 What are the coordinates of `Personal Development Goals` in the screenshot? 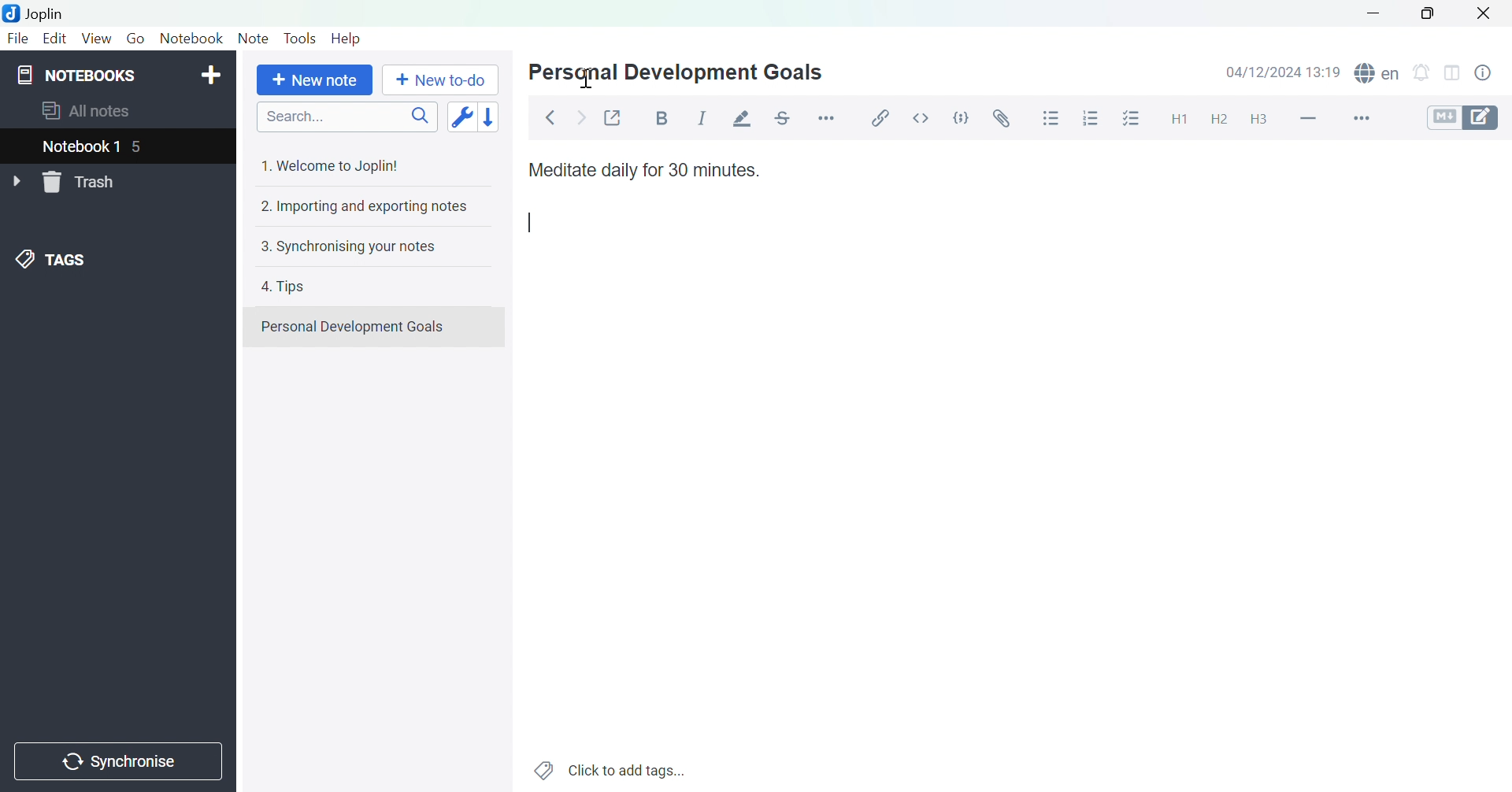 It's located at (353, 327).